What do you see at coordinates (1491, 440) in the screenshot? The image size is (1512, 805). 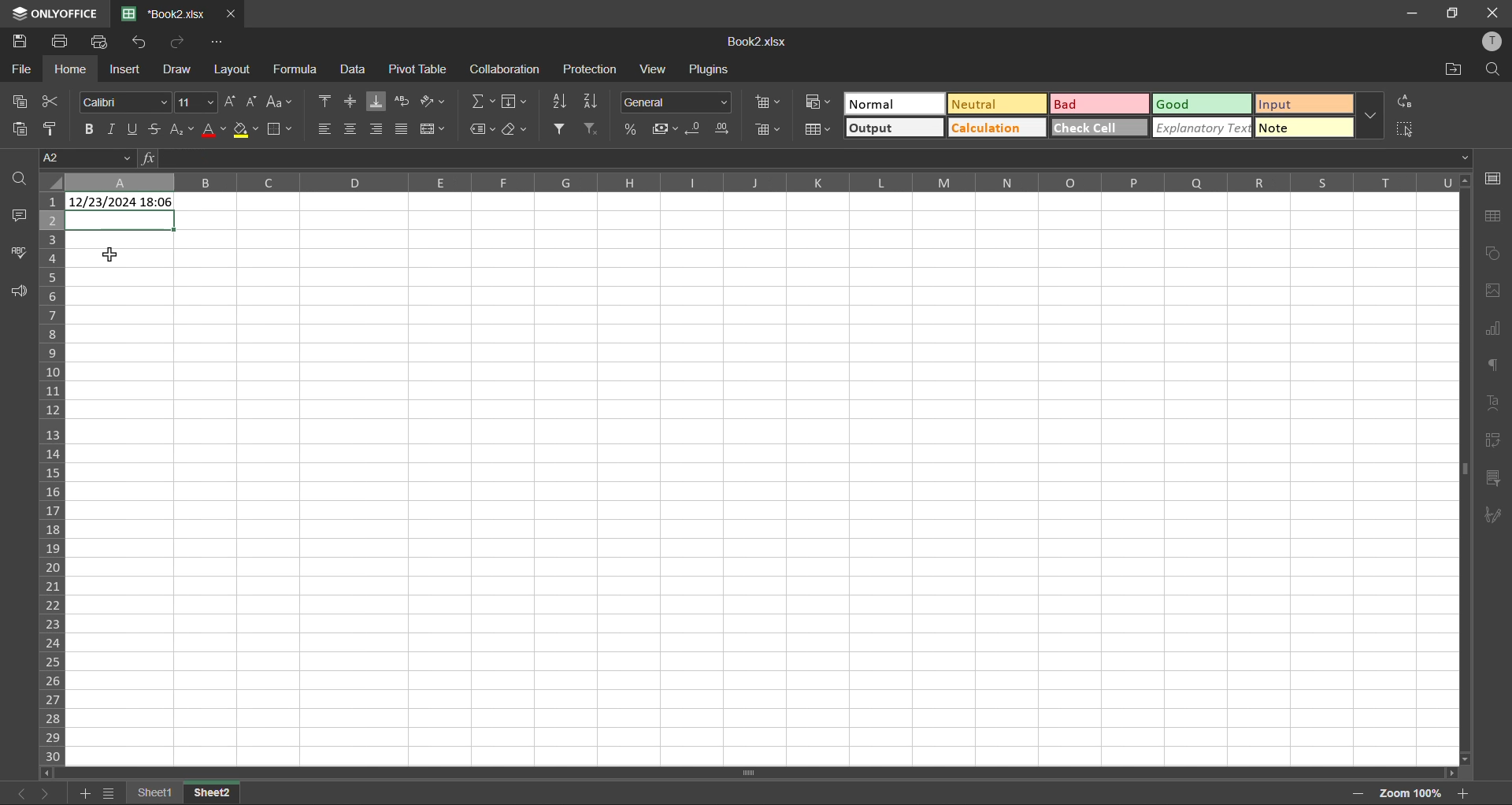 I see `pivot table` at bounding box center [1491, 440].